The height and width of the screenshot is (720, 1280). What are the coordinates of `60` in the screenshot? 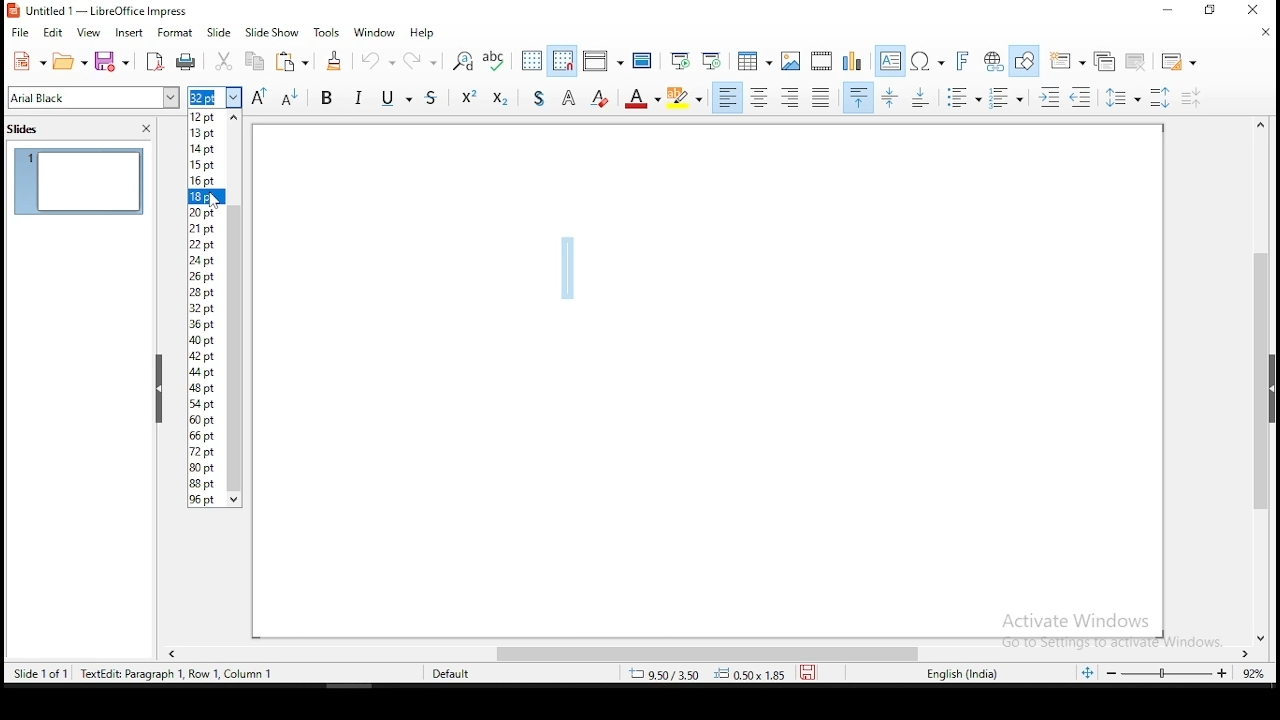 It's located at (206, 420).